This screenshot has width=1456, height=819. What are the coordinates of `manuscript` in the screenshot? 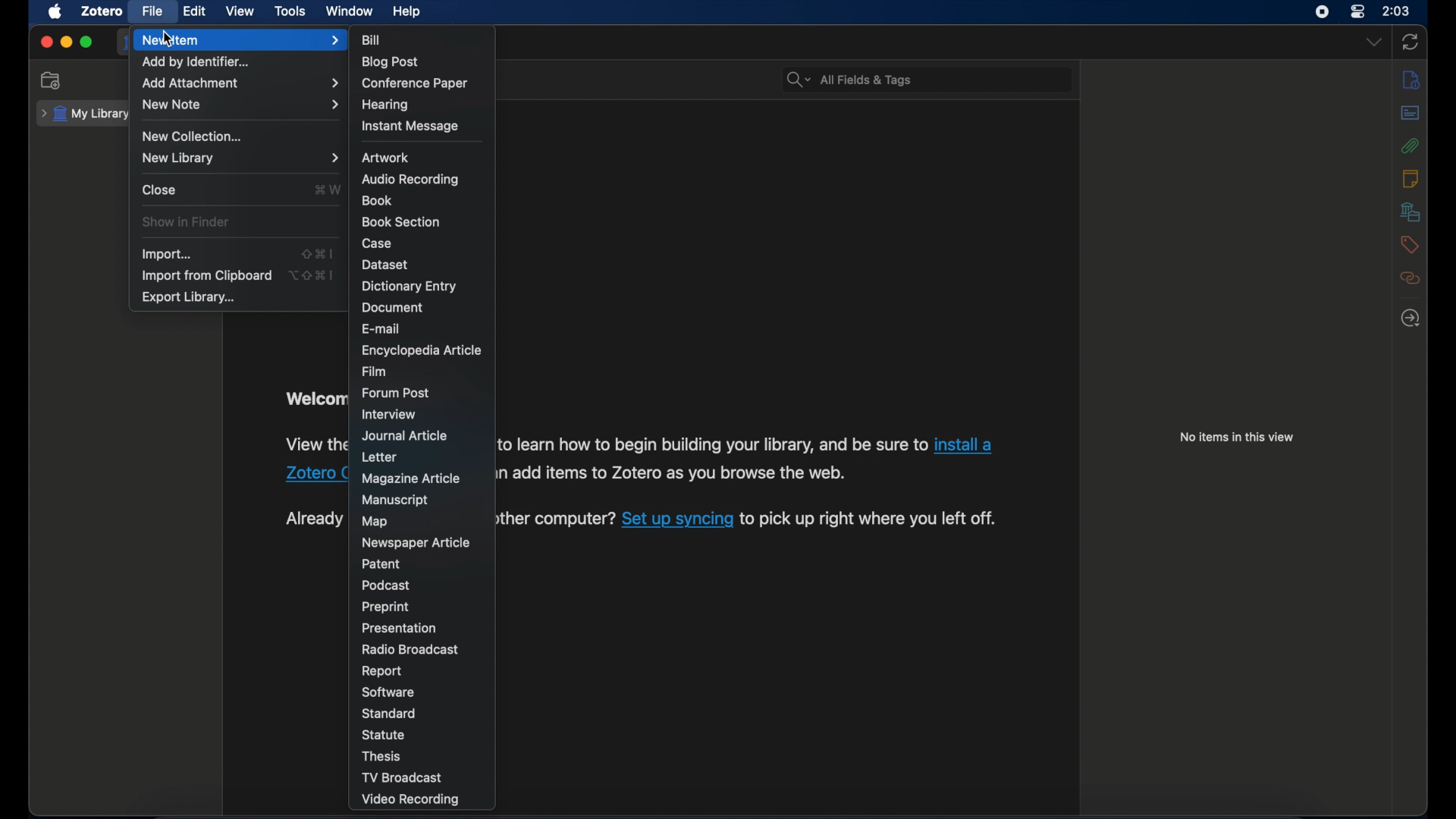 It's located at (396, 500).